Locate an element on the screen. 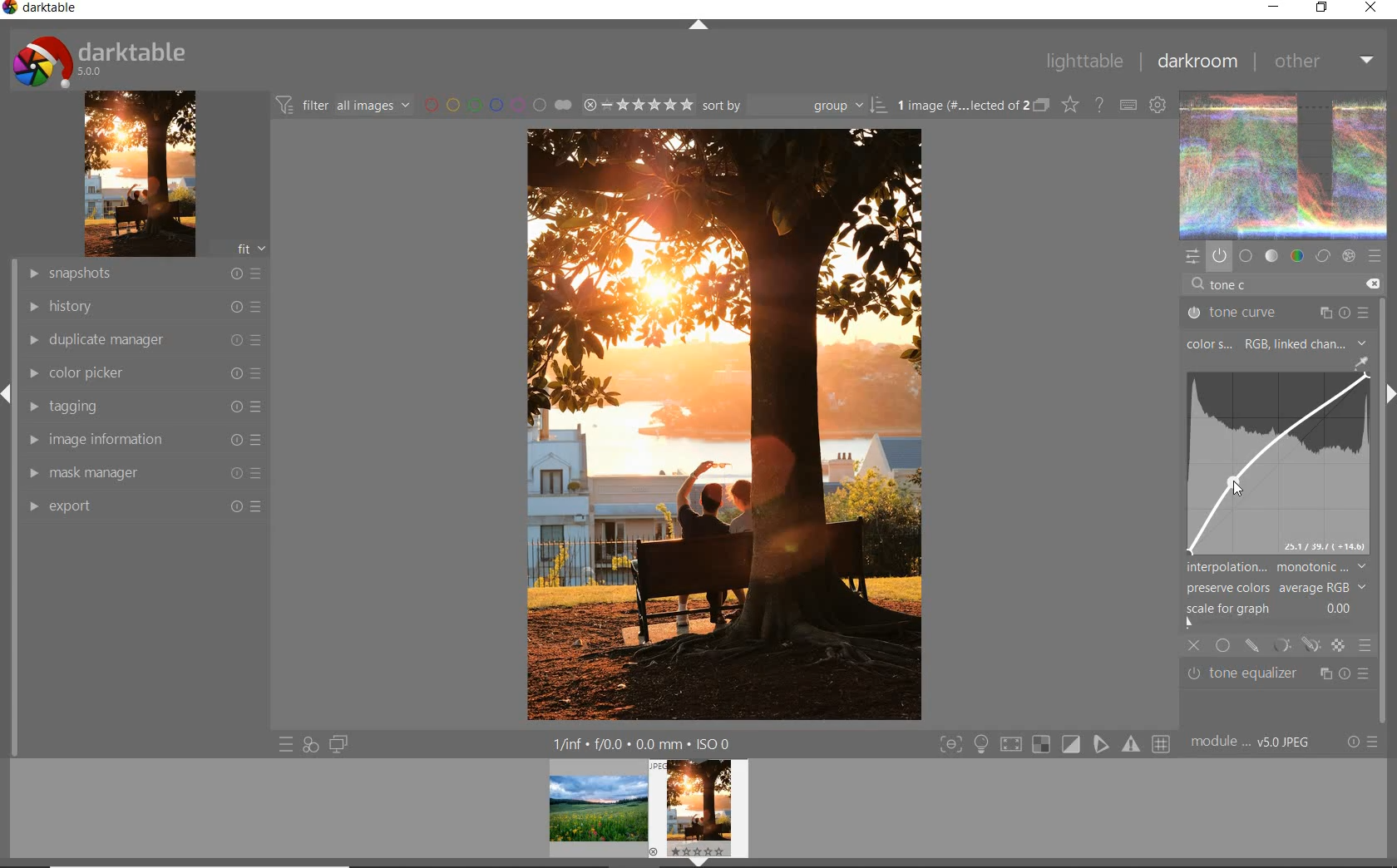 Image resolution: width=1397 pixels, height=868 pixels. 1 image (#.... lected of 2) is located at coordinates (971, 105).